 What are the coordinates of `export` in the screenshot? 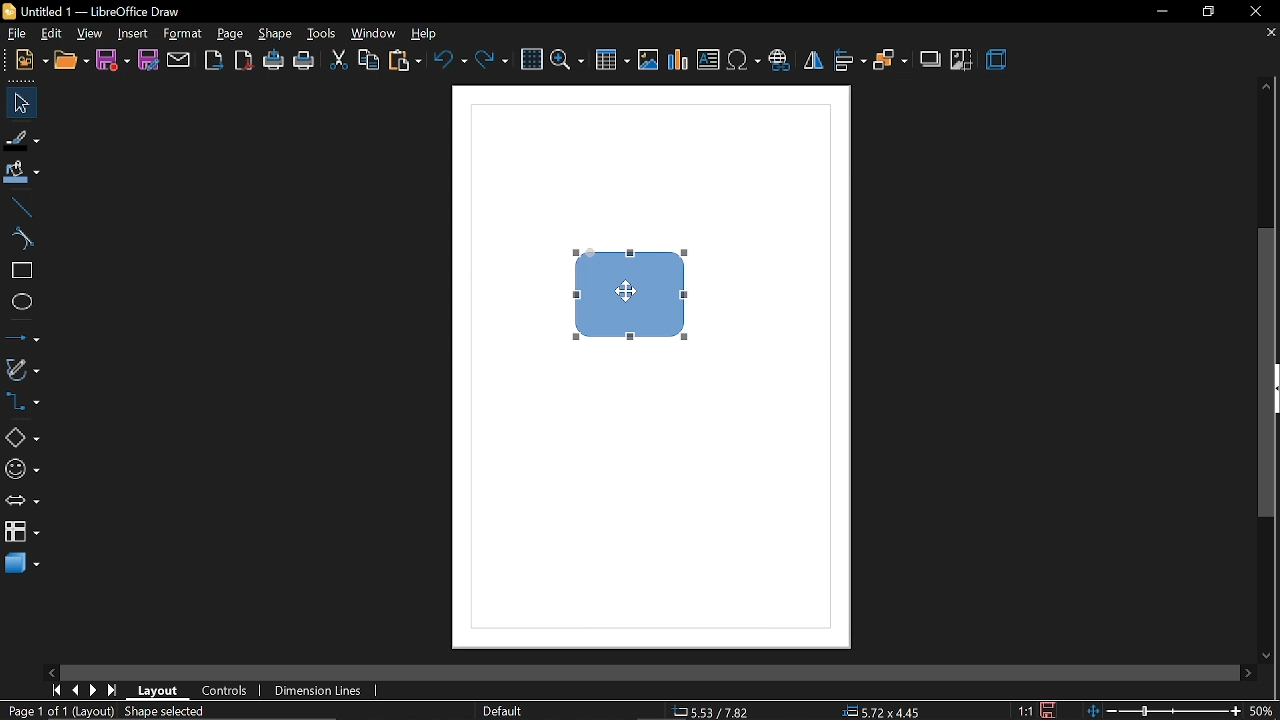 It's located at (213, 60).